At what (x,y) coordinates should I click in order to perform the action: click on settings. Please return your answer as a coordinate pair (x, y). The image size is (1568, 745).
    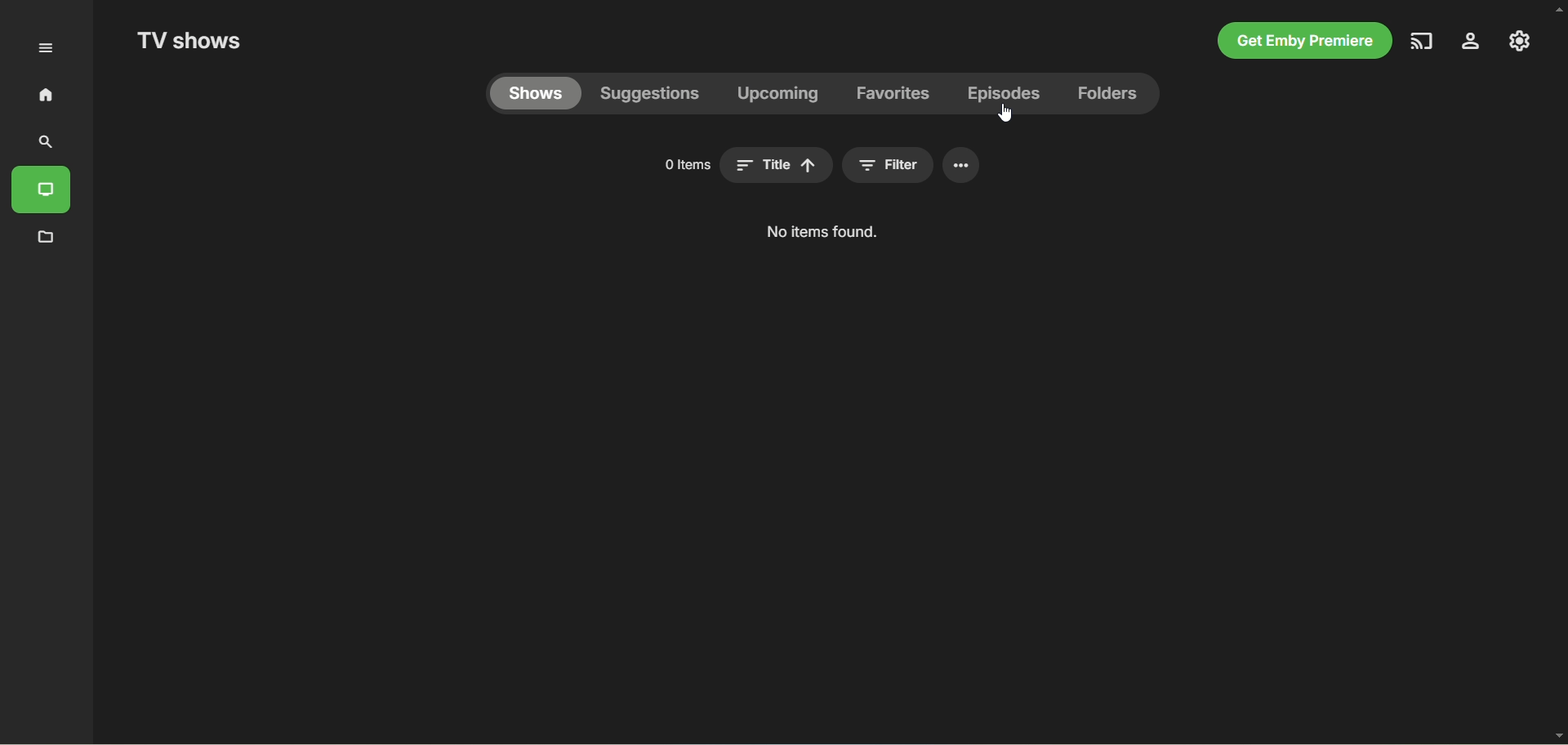
    Looking at the image, I should click on (1472, 41).